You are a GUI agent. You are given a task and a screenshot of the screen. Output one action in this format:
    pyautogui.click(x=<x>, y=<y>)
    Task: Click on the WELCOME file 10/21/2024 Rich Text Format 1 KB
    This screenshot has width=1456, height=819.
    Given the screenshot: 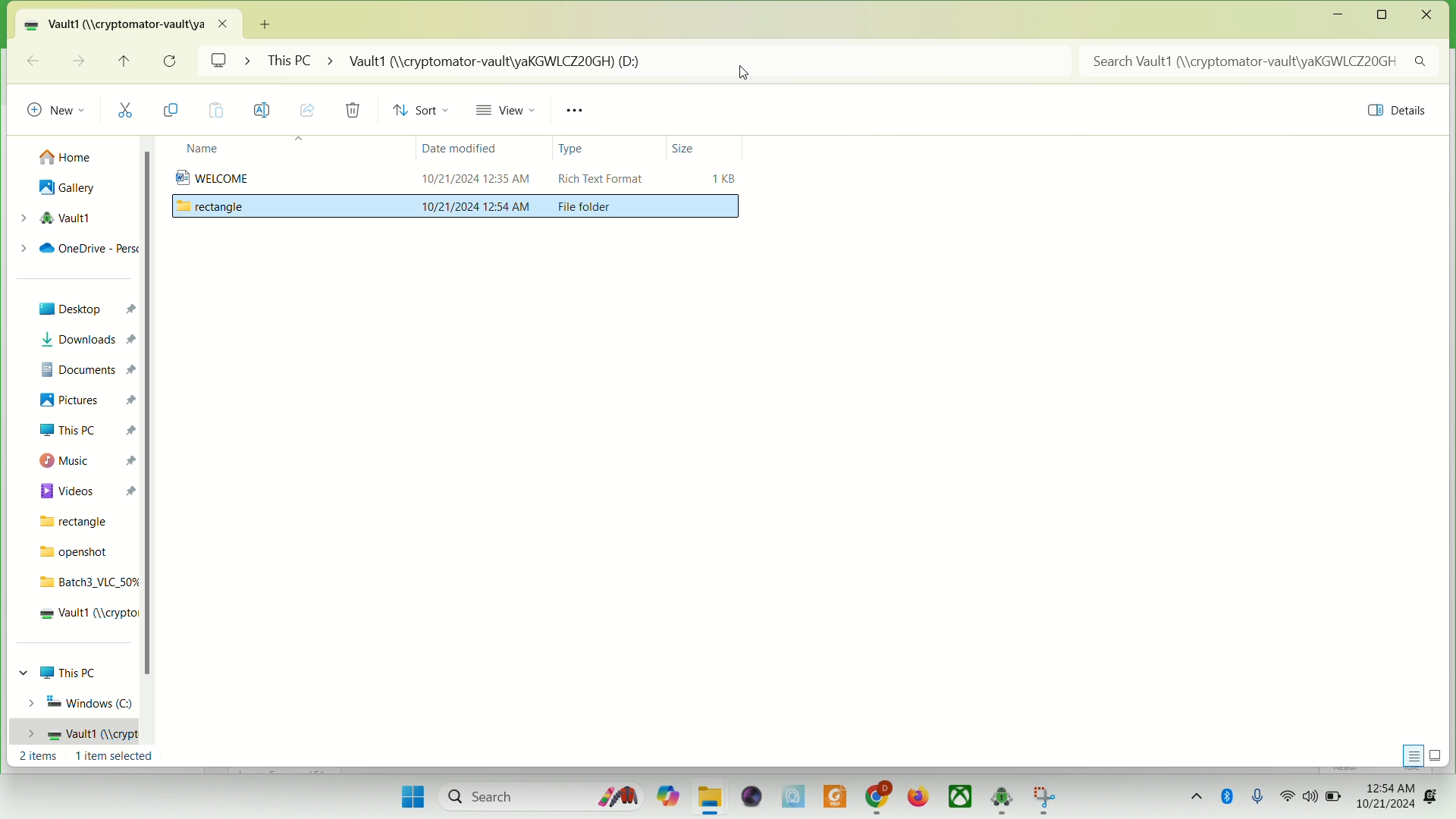 What is the action you would take?
    pyautogui.click(x=457, y=178)
    